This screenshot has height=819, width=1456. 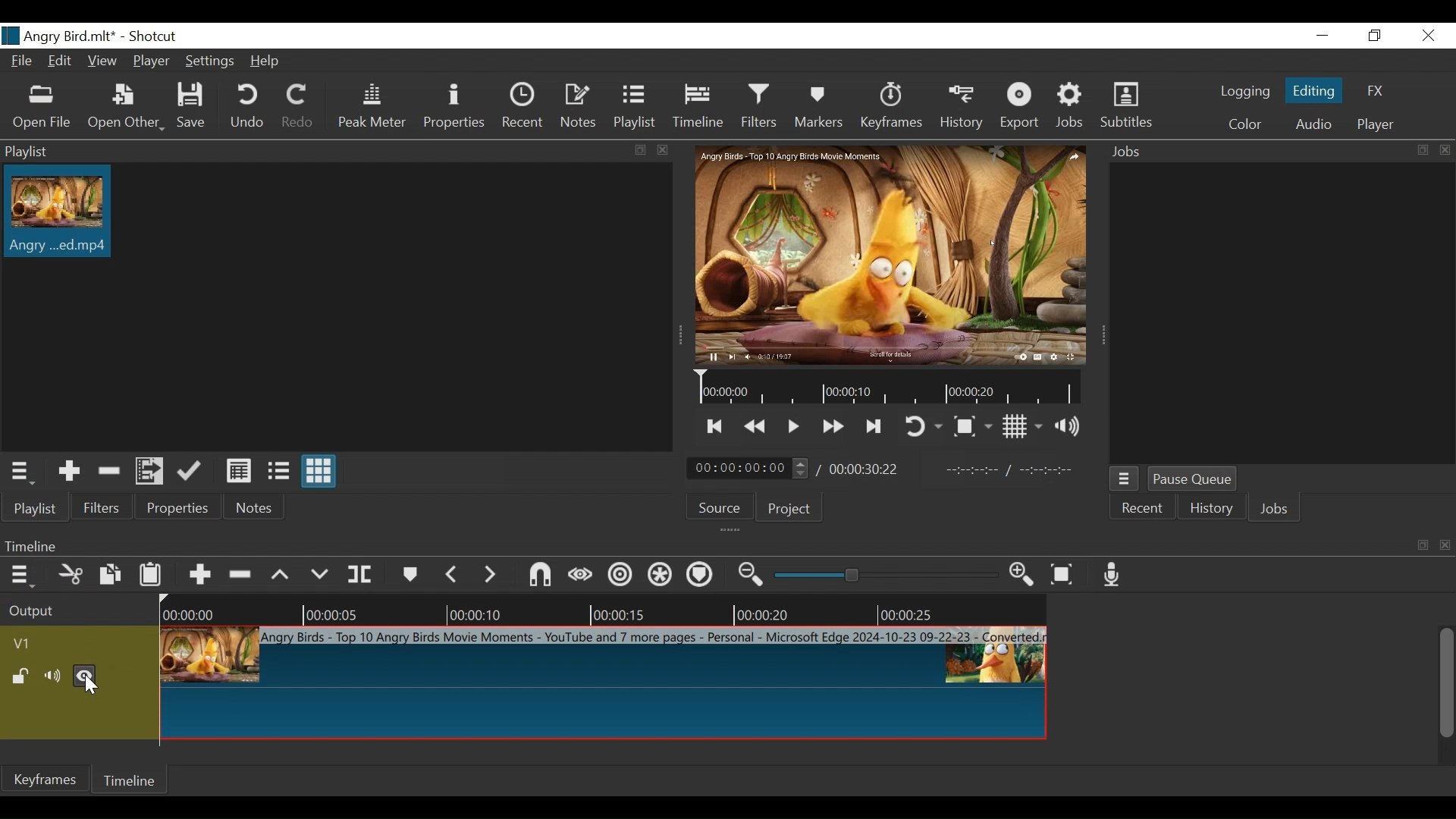 I want to click on Open File, so click(x=42, y=109).